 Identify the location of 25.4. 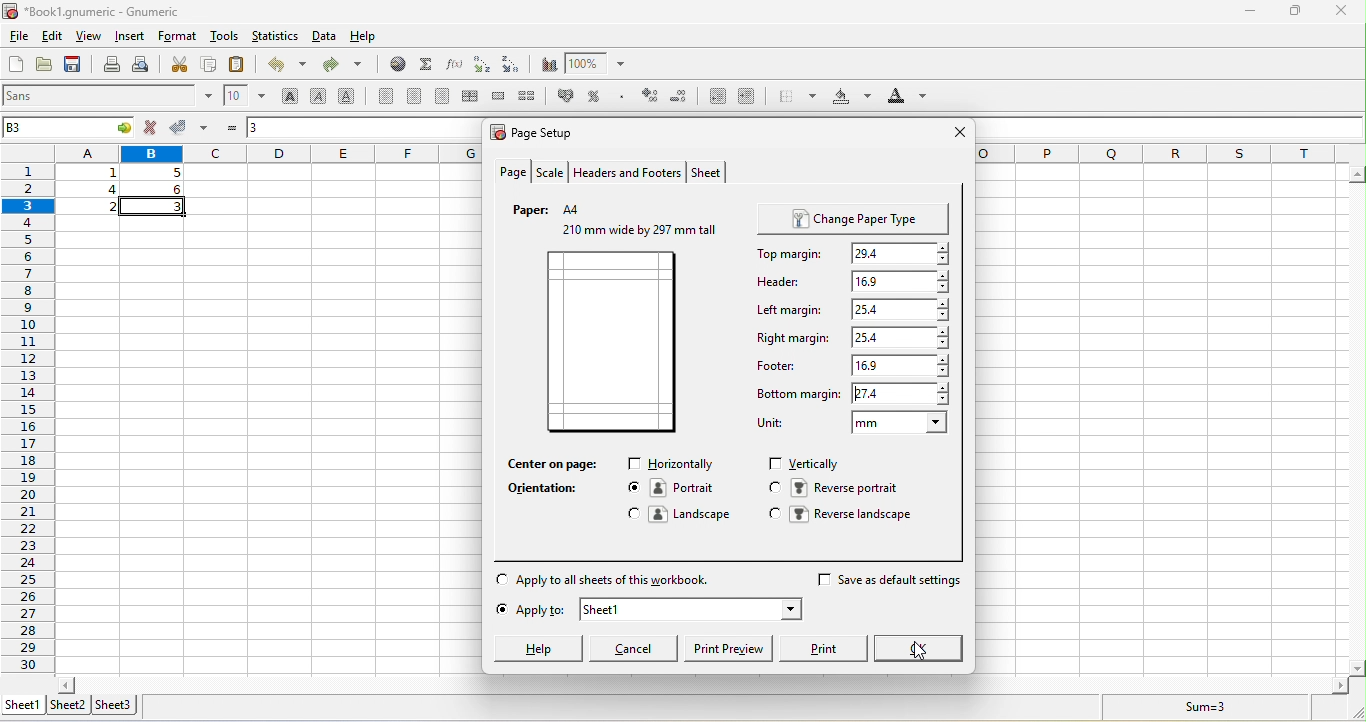
(901, 393).